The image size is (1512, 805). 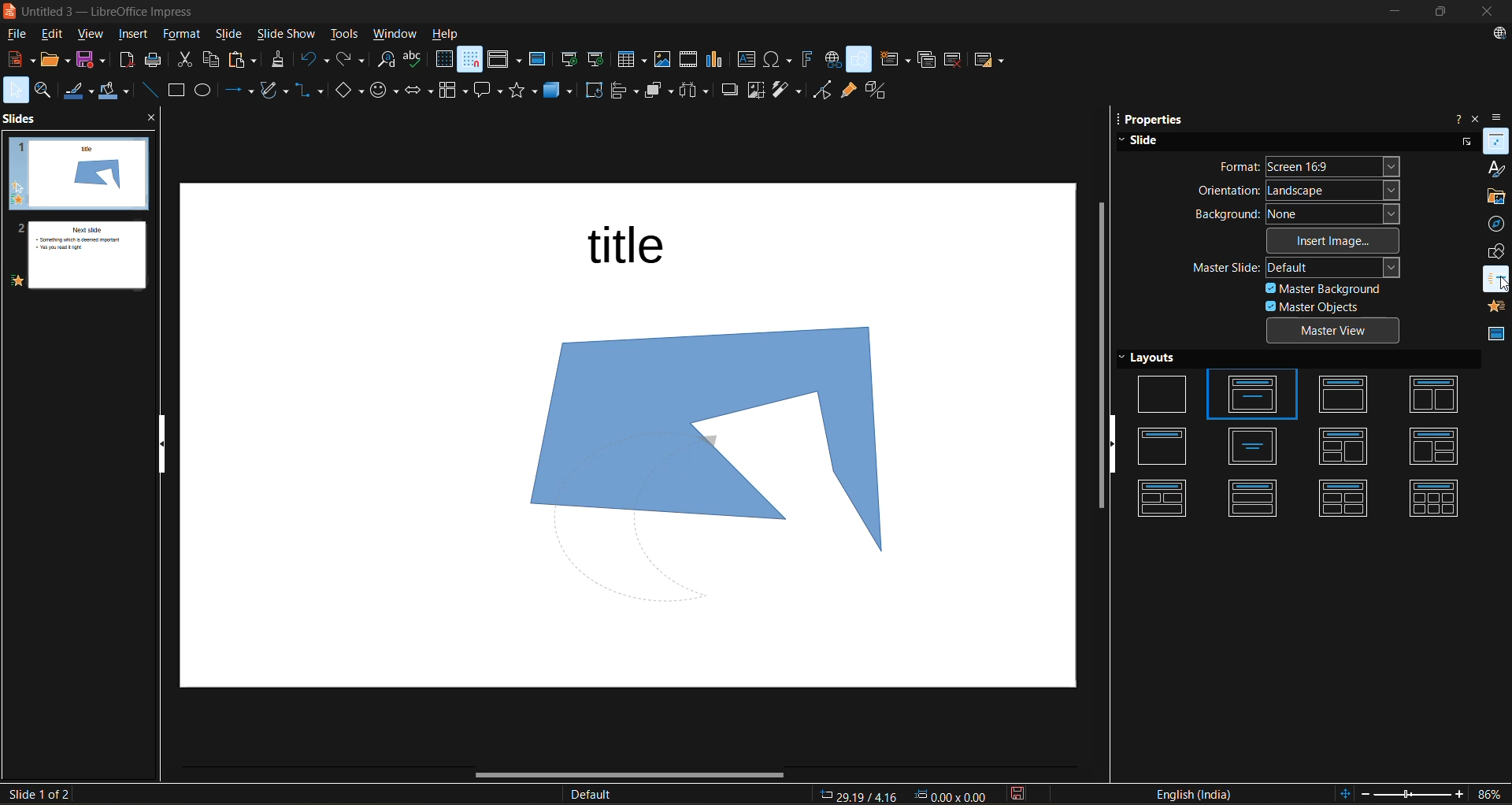 What do you see at coordinates (1347, 792) in the screenshot?
I see `fit to slide` at bounding box center [1347, 792].